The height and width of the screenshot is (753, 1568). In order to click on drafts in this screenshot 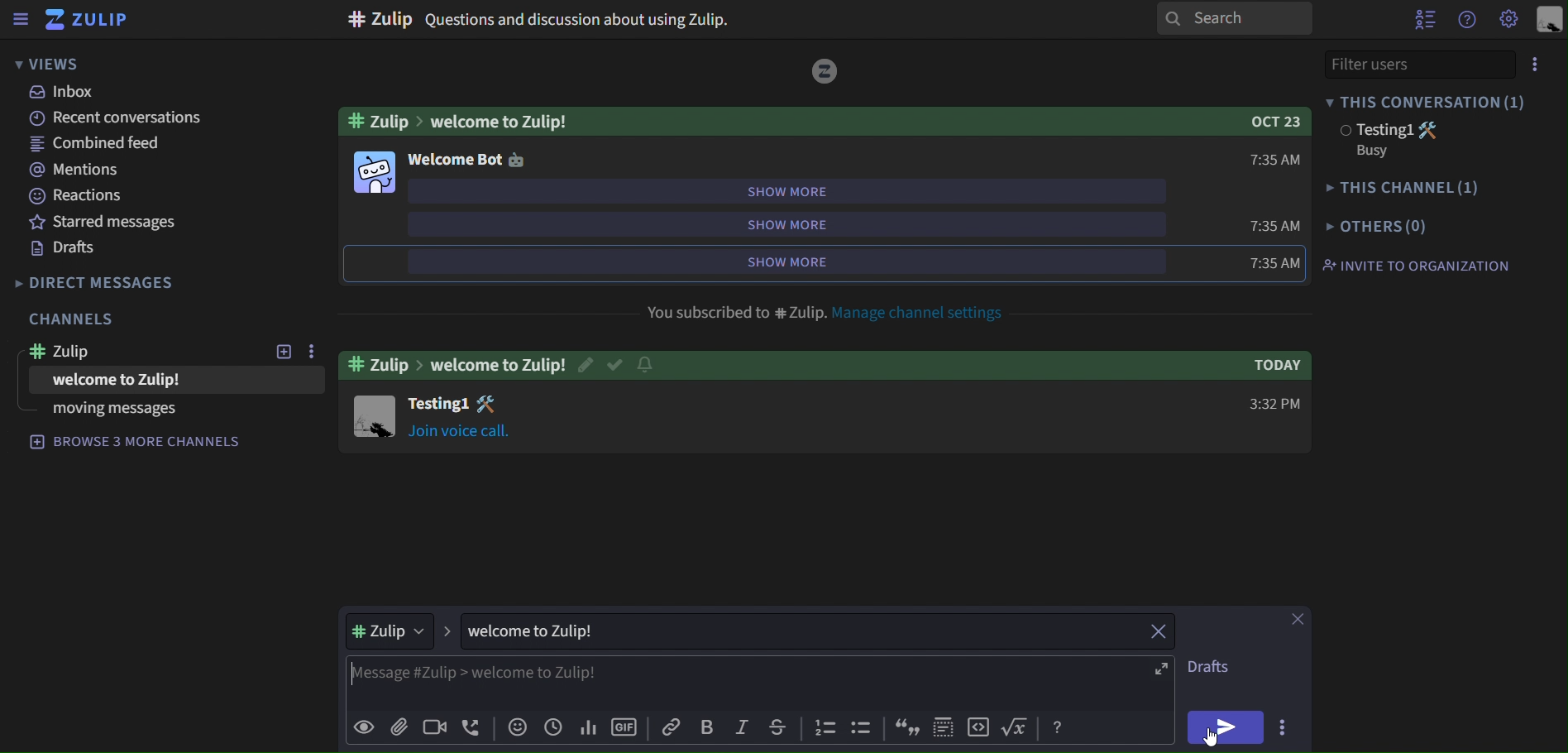, I will do `click(63, 248)`.